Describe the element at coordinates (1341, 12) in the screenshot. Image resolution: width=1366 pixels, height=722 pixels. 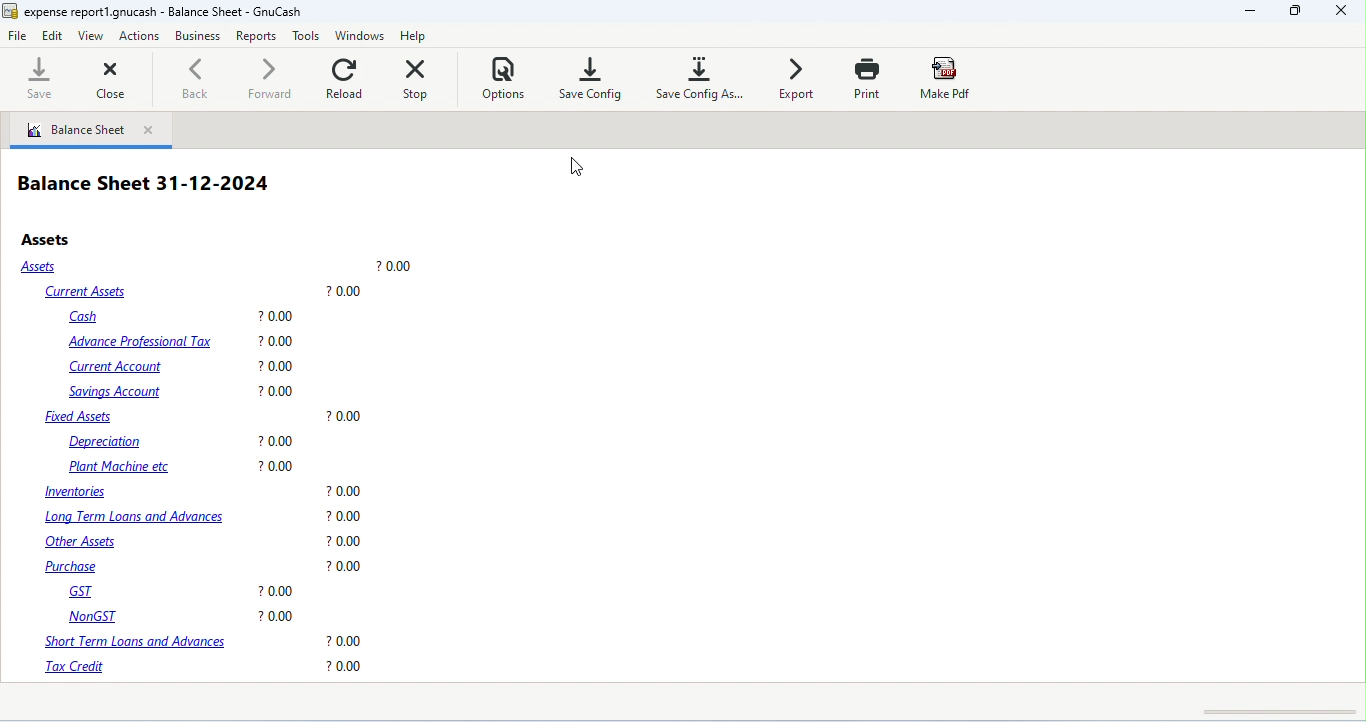
I see `close` at that location.